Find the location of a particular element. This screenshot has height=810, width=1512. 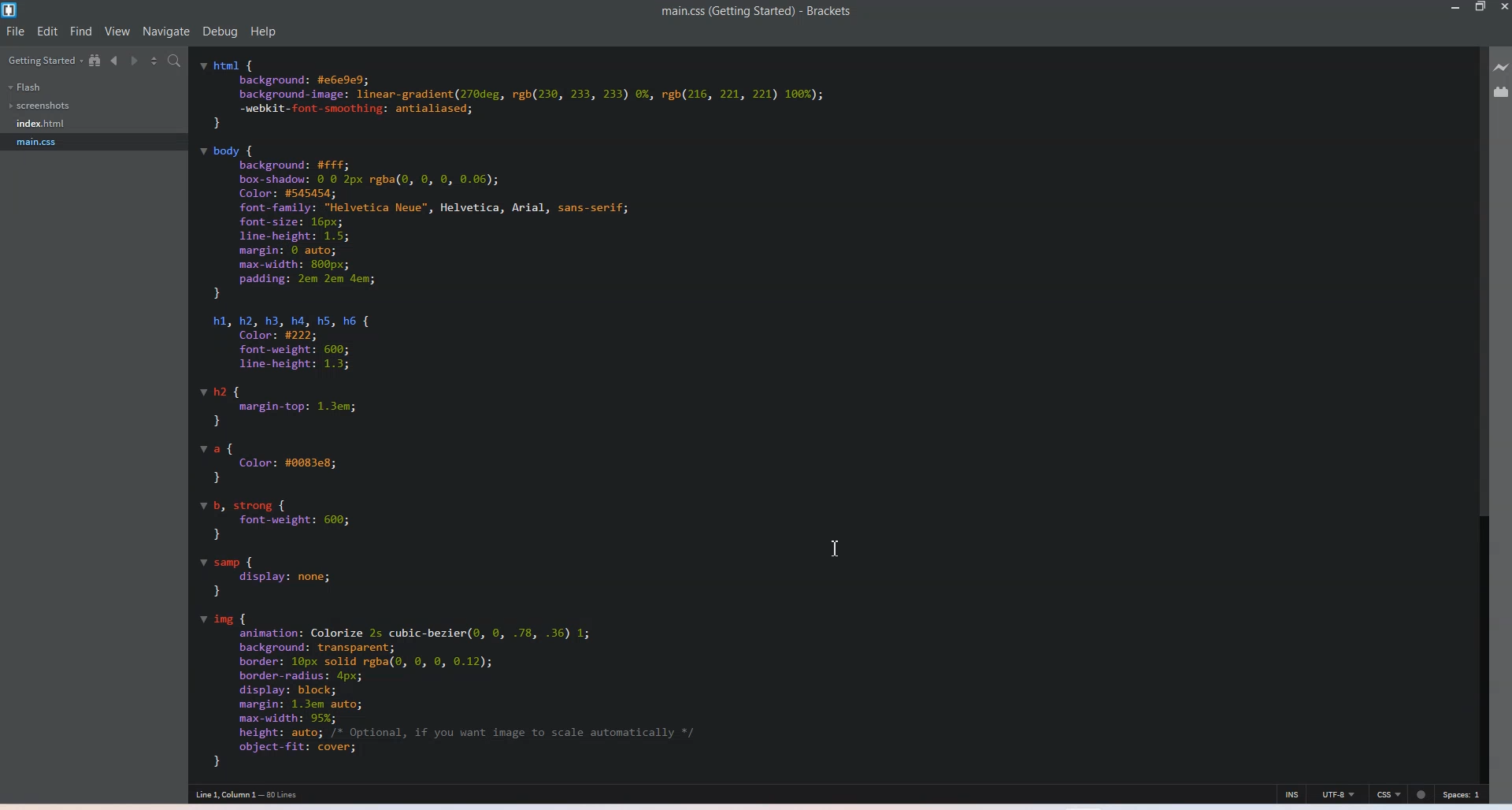

Text Cursor is located at coordinates (839, 548).